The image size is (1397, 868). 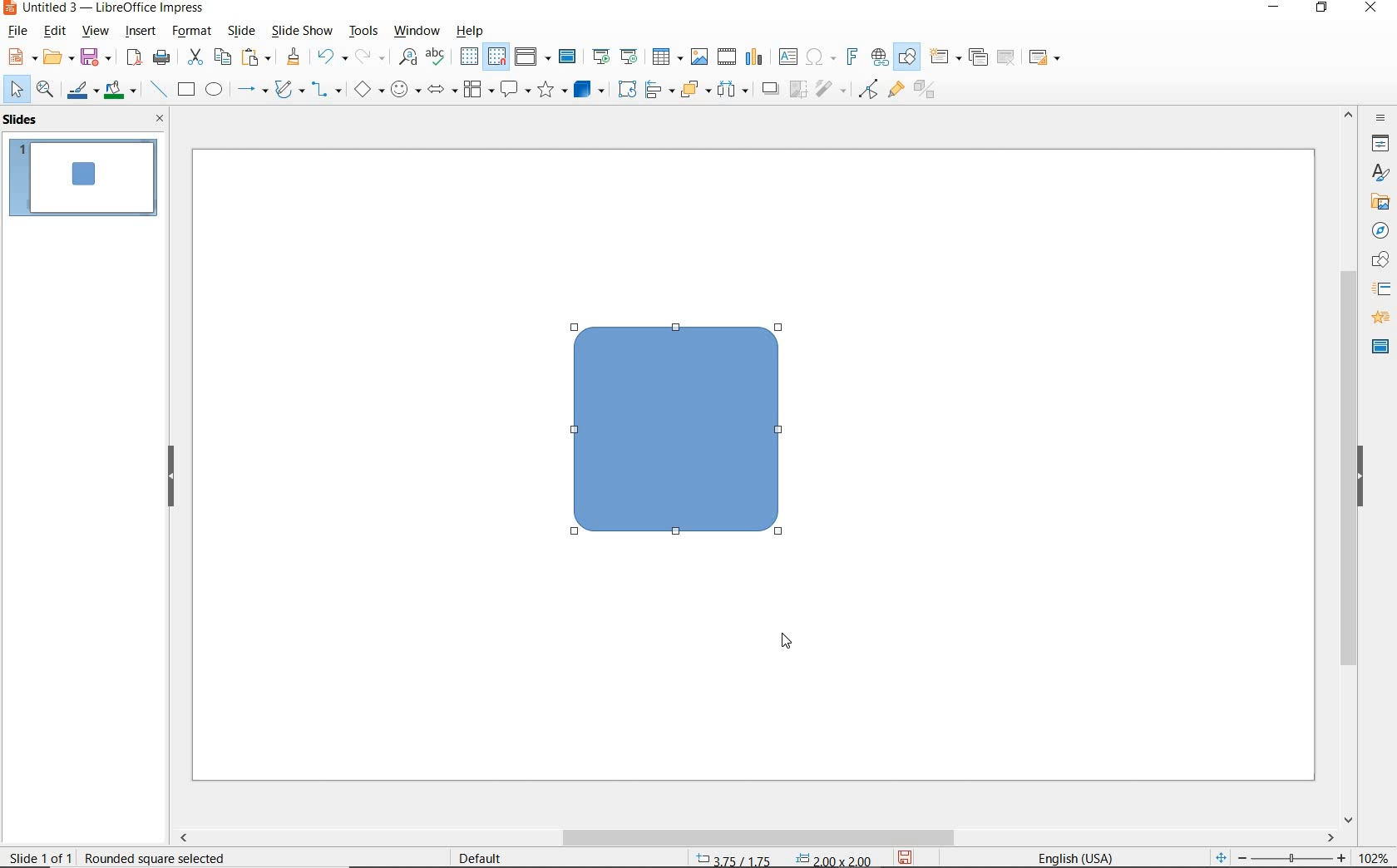 What do you see at coordinates (55, 32) in the screenshot?
I see `edit` at bounding box center [55, 32].